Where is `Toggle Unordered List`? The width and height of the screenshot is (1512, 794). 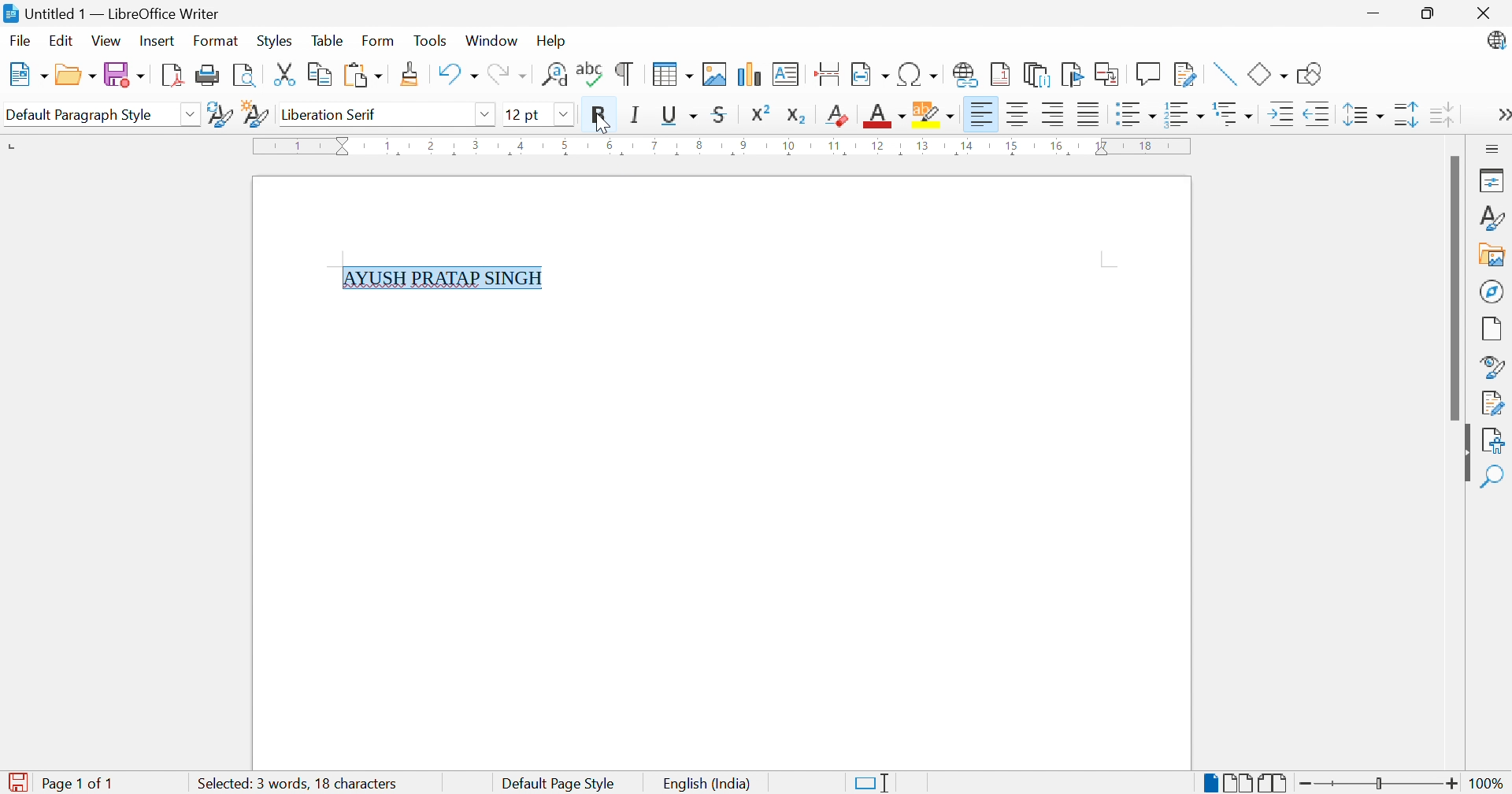
Toggle Unordered List is located at coordinates (1136, 114).